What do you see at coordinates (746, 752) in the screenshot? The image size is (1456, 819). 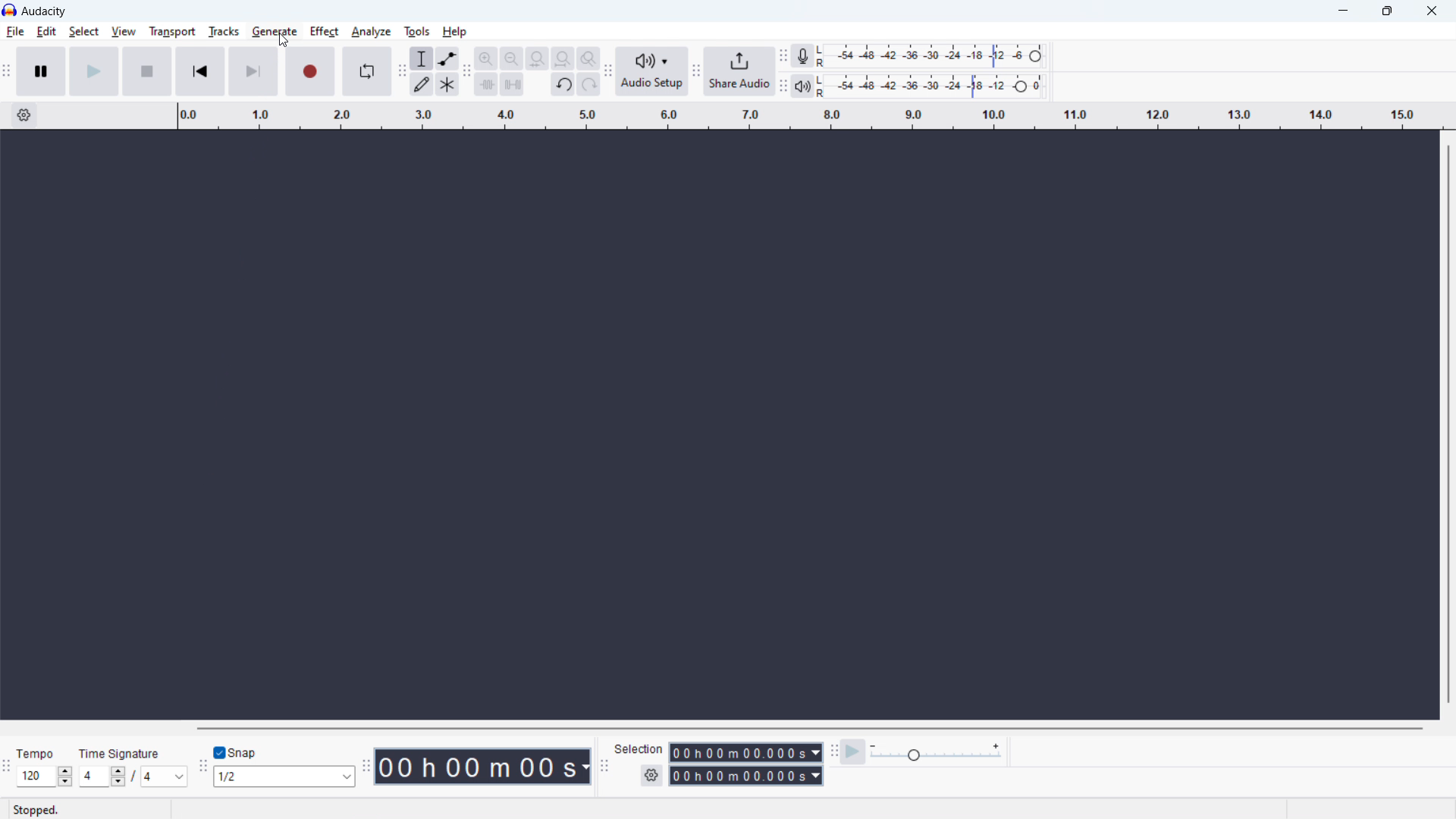 I see `start time` at bounding box center [746, 752].